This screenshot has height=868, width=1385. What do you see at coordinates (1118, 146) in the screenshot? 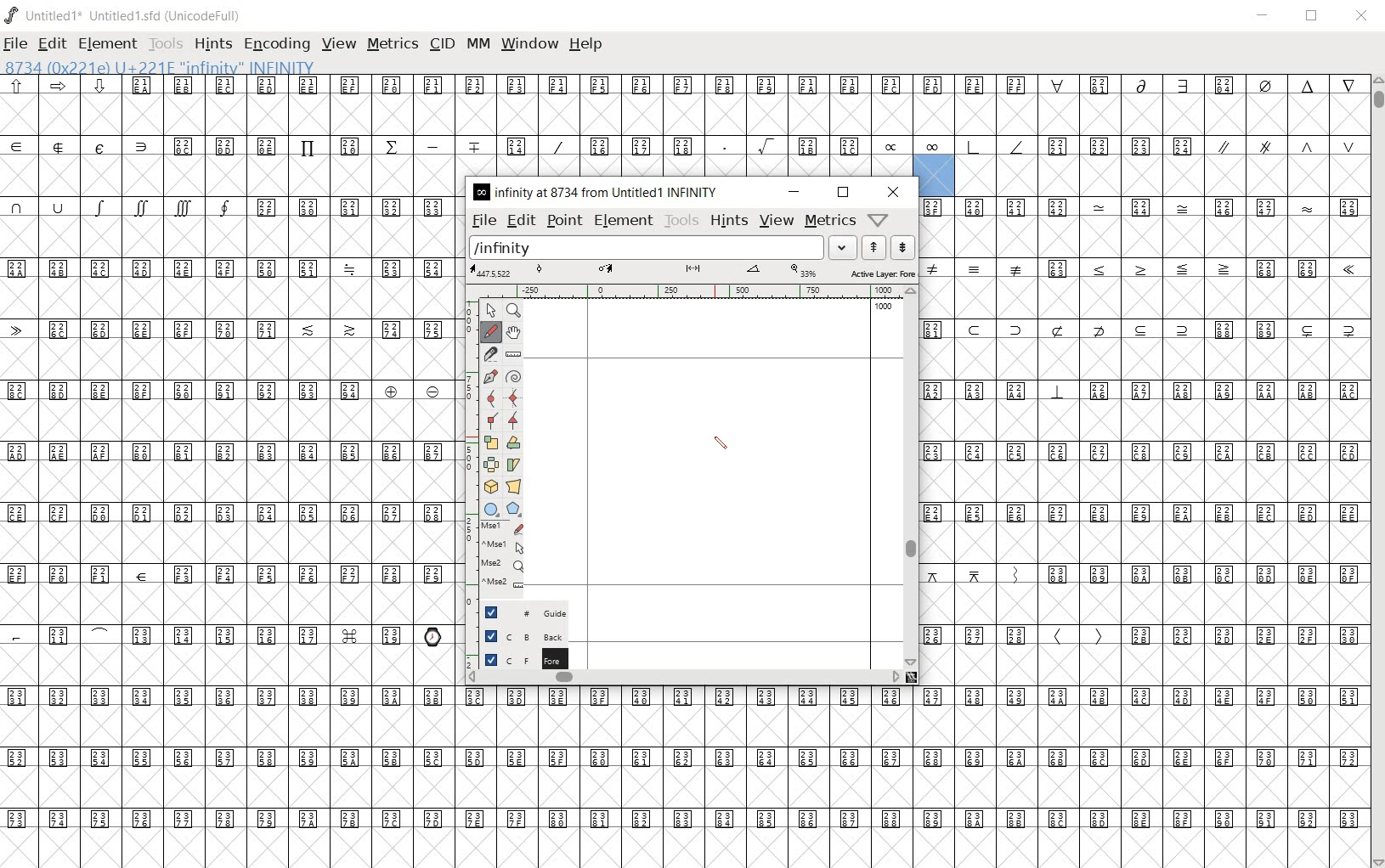
I see `Unicode code points` at bounding box center [1118, 146].